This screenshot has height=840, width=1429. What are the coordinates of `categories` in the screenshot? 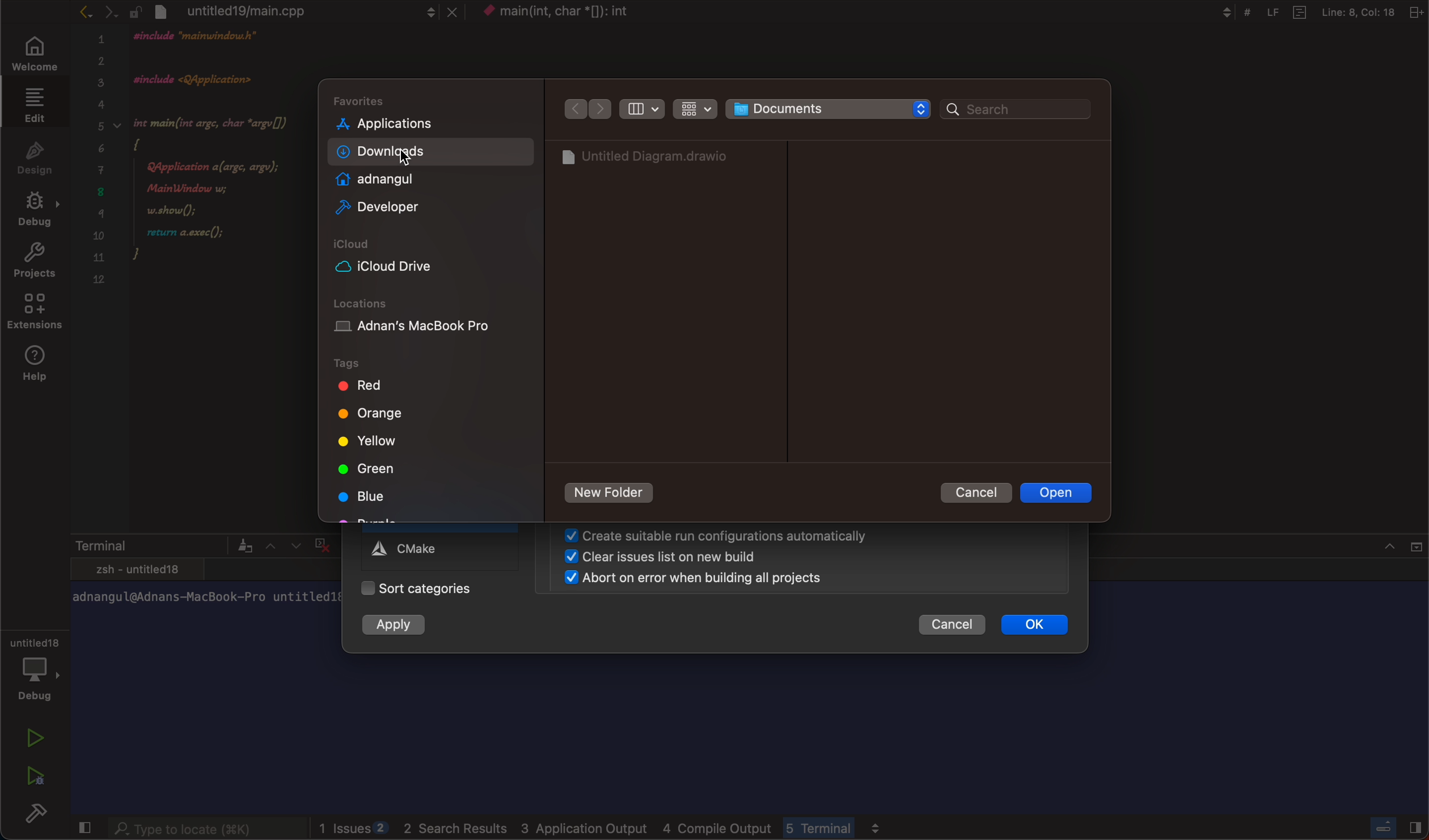 It's located at (437, 588).